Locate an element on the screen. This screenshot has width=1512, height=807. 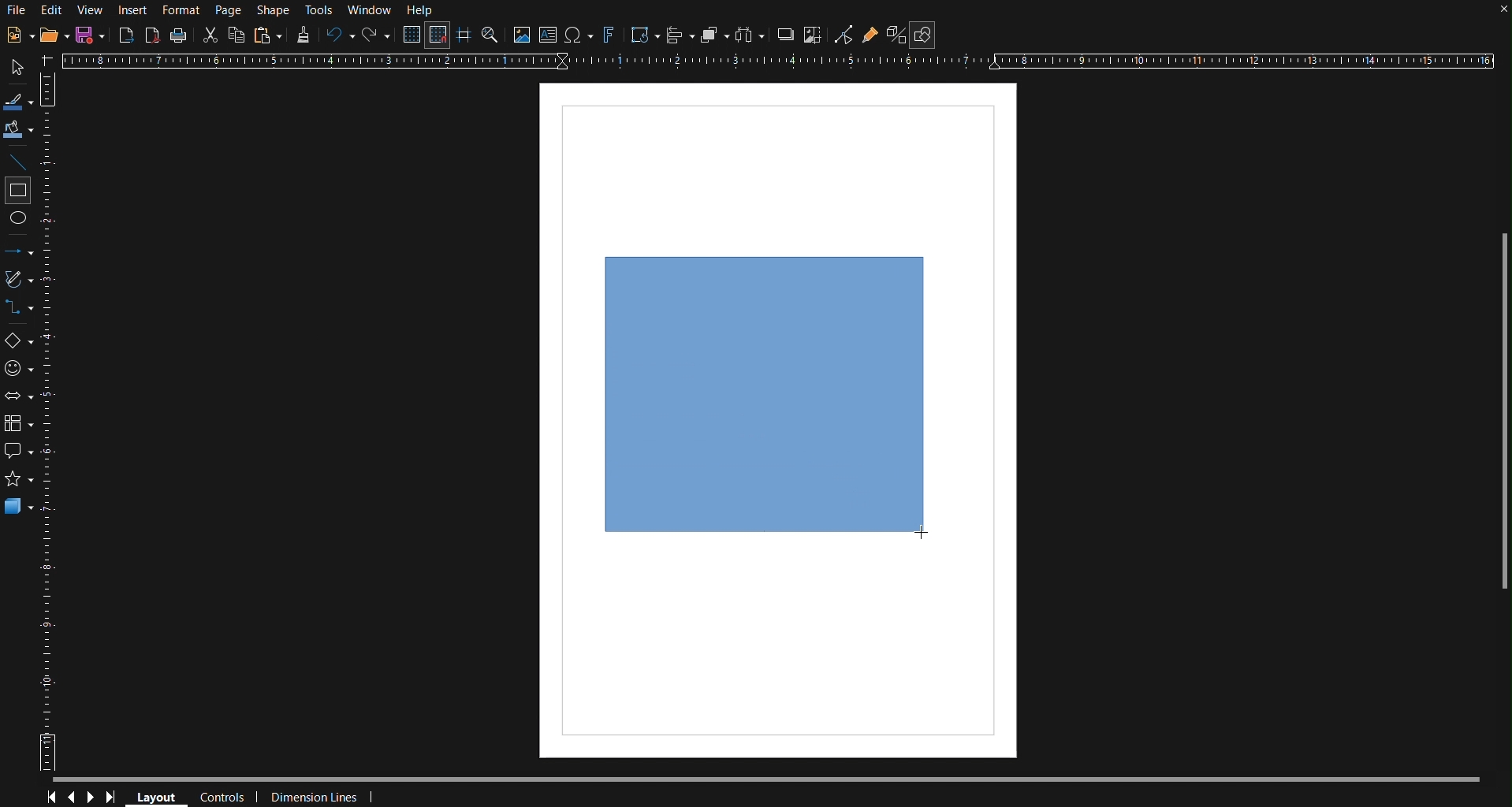
Guidelines while moving is located at coordinates (464, 34).